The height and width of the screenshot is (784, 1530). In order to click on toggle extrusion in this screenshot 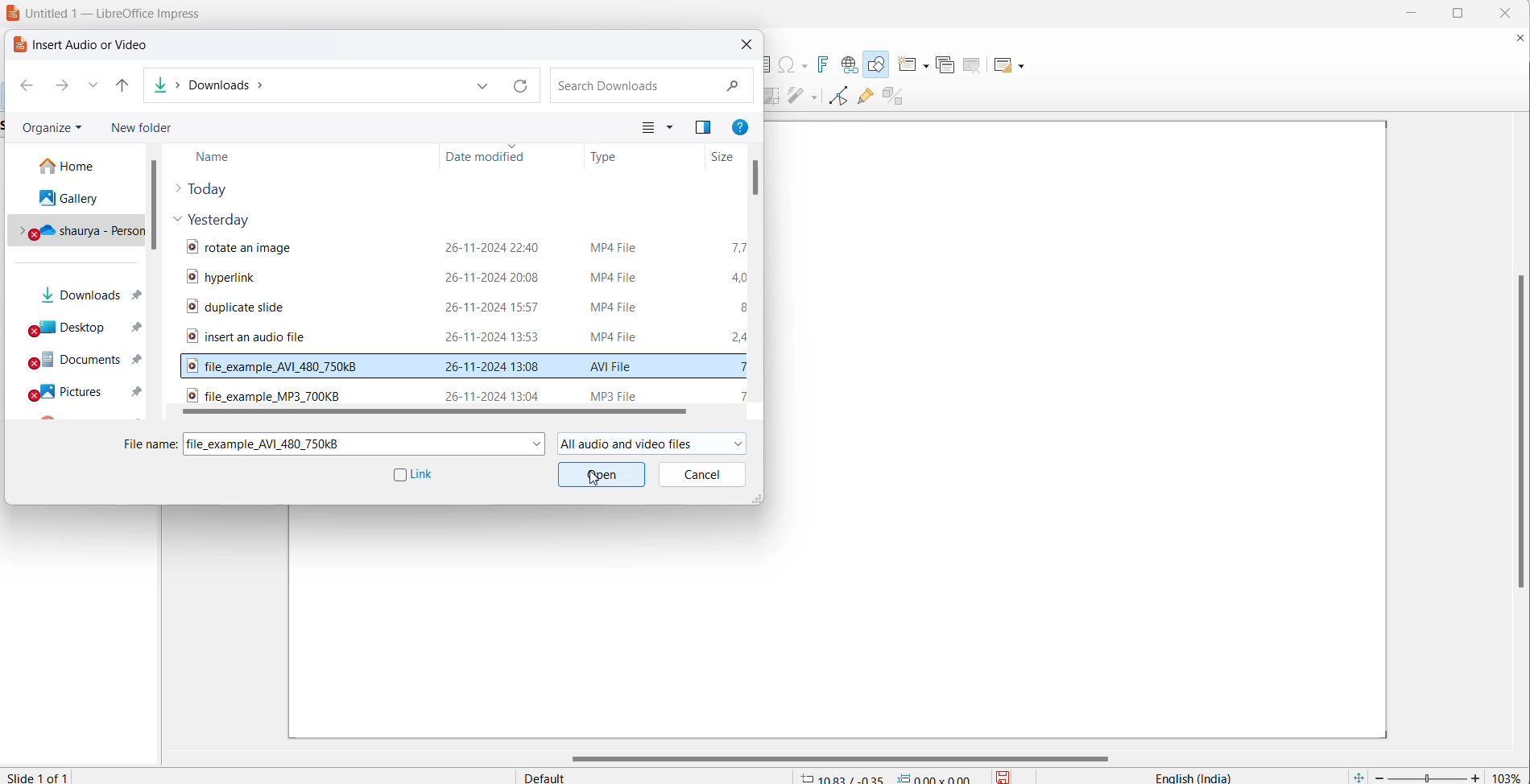, I will do `click(895, 99)`.